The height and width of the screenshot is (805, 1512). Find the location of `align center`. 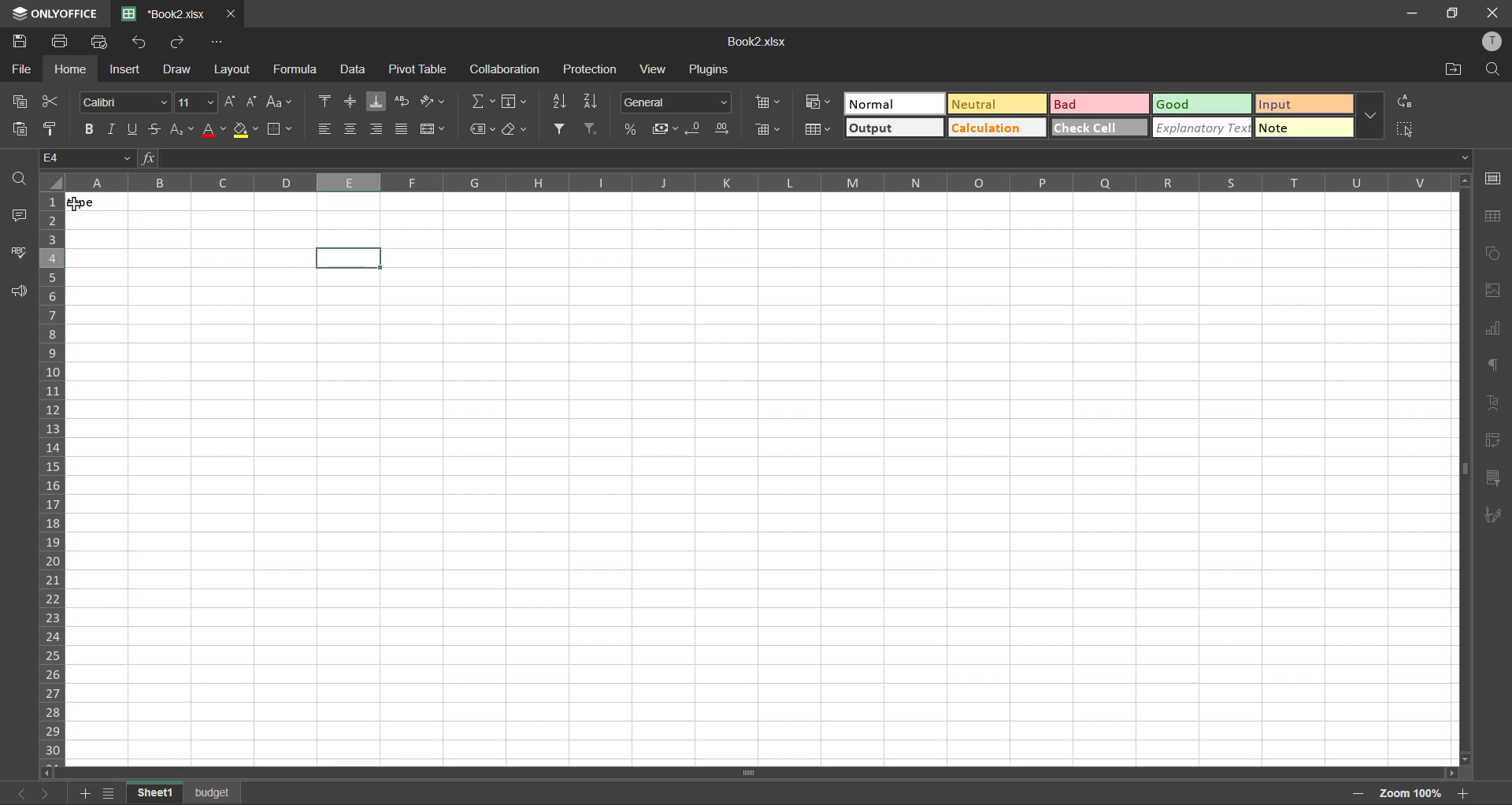

align center is located at coordinates (351, 126).